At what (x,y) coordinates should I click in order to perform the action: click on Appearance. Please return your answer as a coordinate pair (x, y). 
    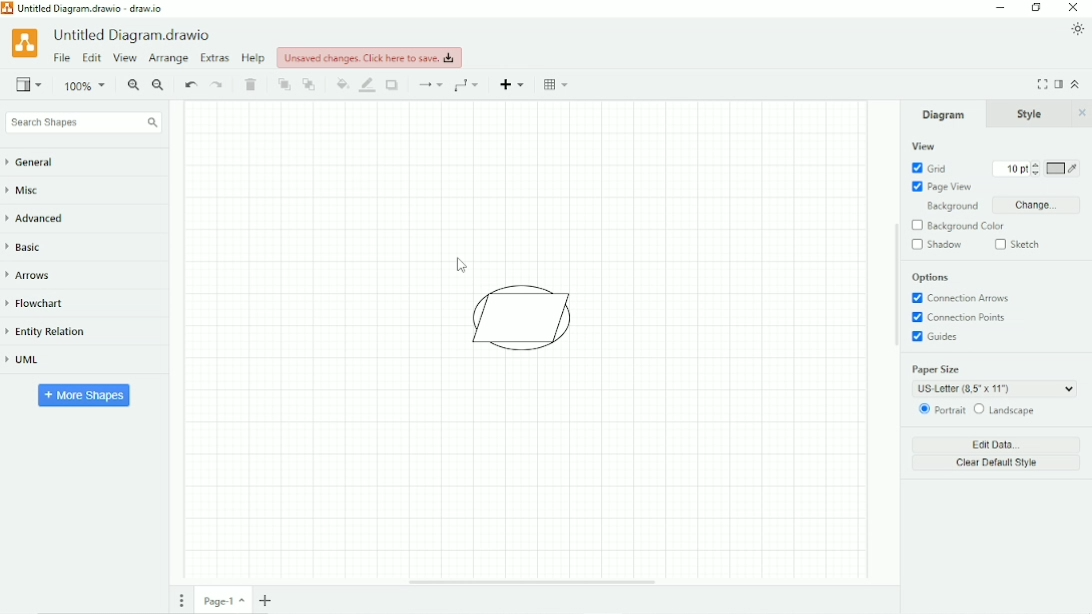
    Looking at the image, I should click on (1078, 29).